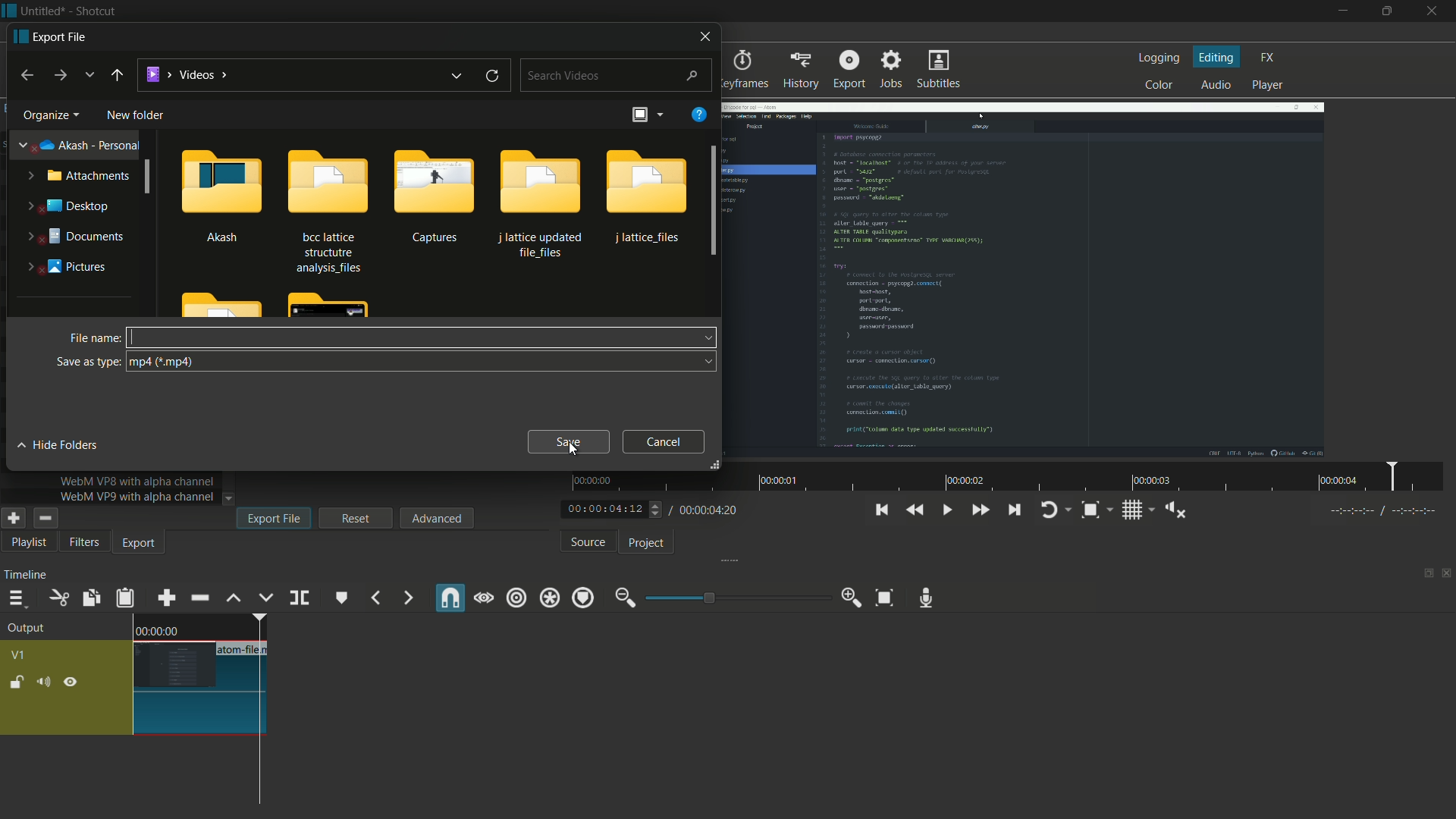 The width and height of the screenshot is (1456, 819). Describe the element at coordinates (139, 336) in the screenshot. I see `cursor` at that location.